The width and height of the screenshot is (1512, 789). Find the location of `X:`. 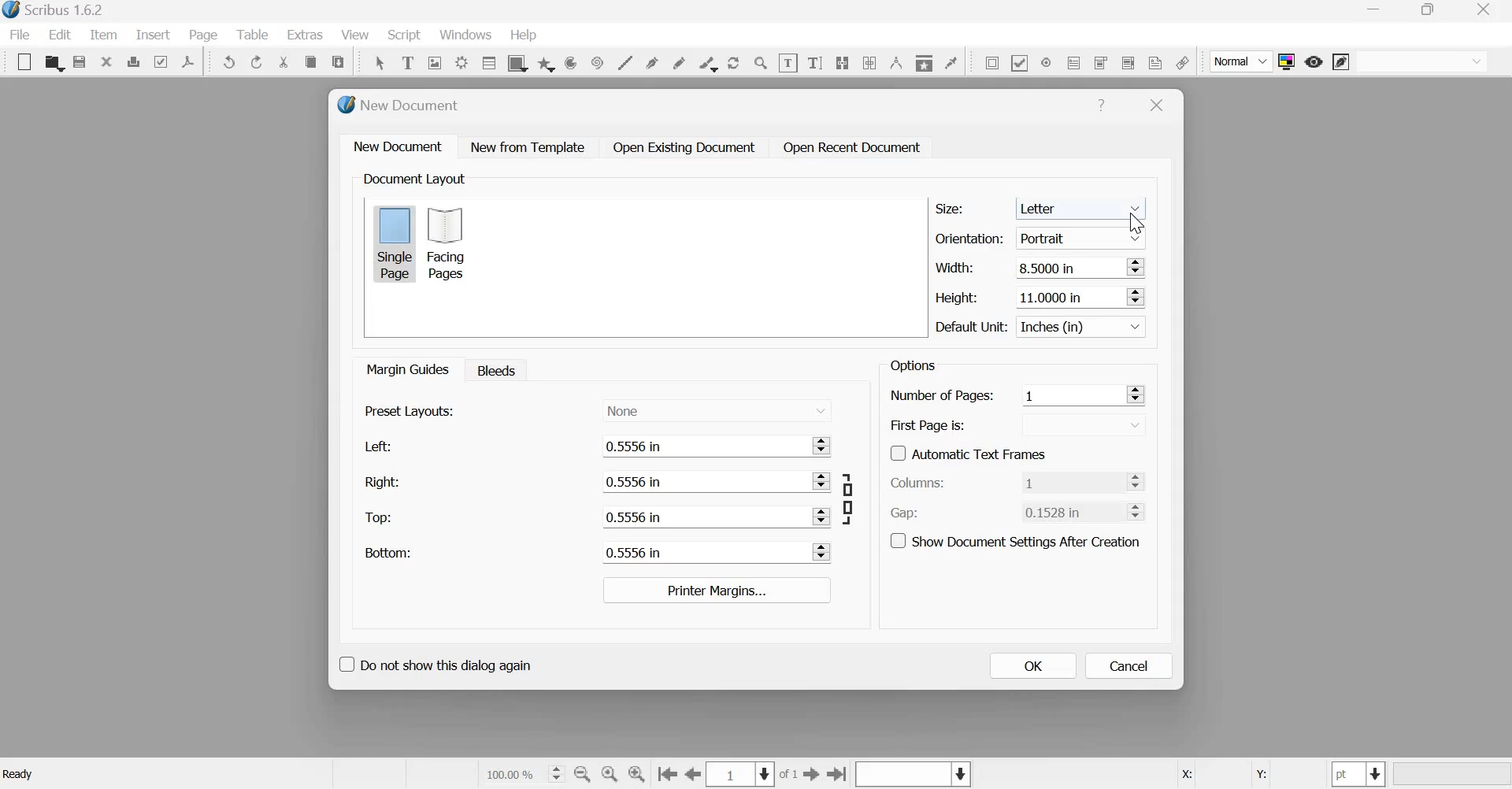

X: is located at coordinates (1185, 775).